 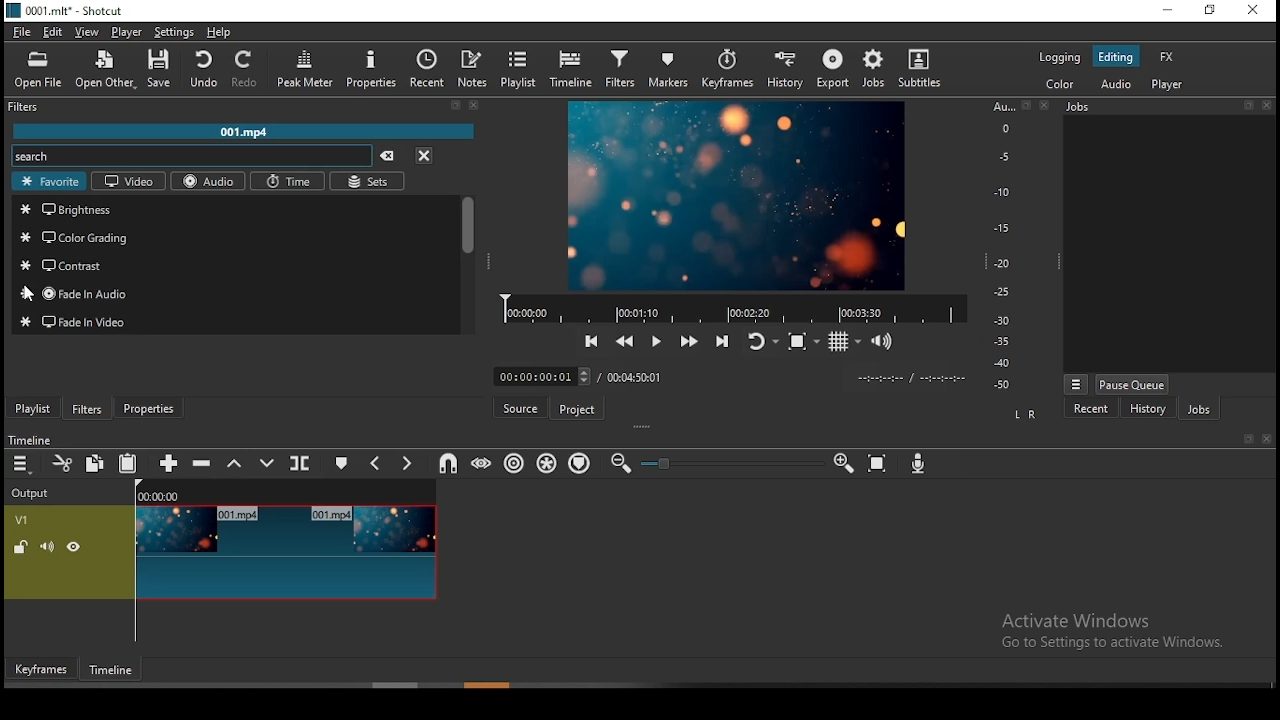 I want to click on record audio, so click(x=918, y=463).